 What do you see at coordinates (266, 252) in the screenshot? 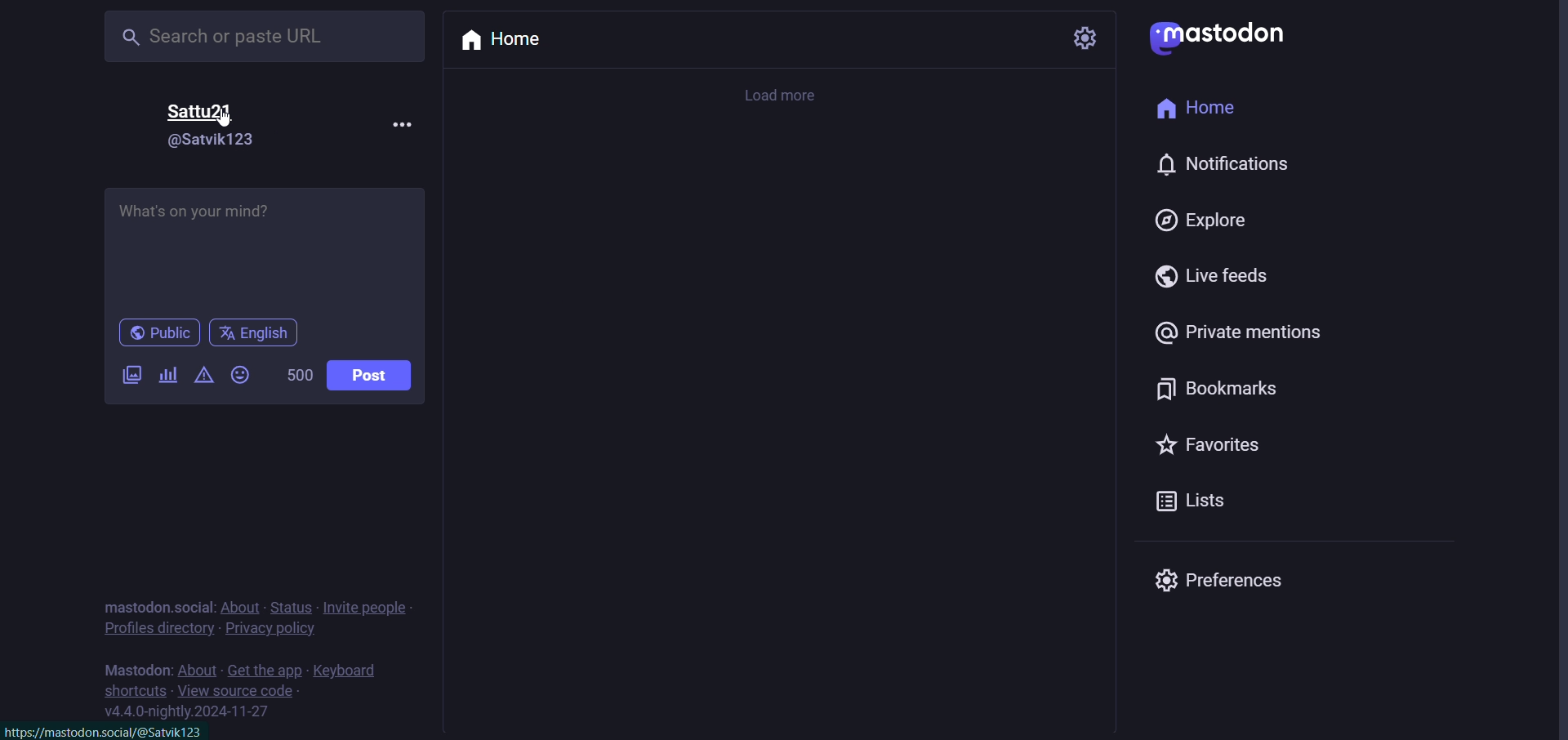
I see `What's on your mind?` at bounding box center [266, 252].